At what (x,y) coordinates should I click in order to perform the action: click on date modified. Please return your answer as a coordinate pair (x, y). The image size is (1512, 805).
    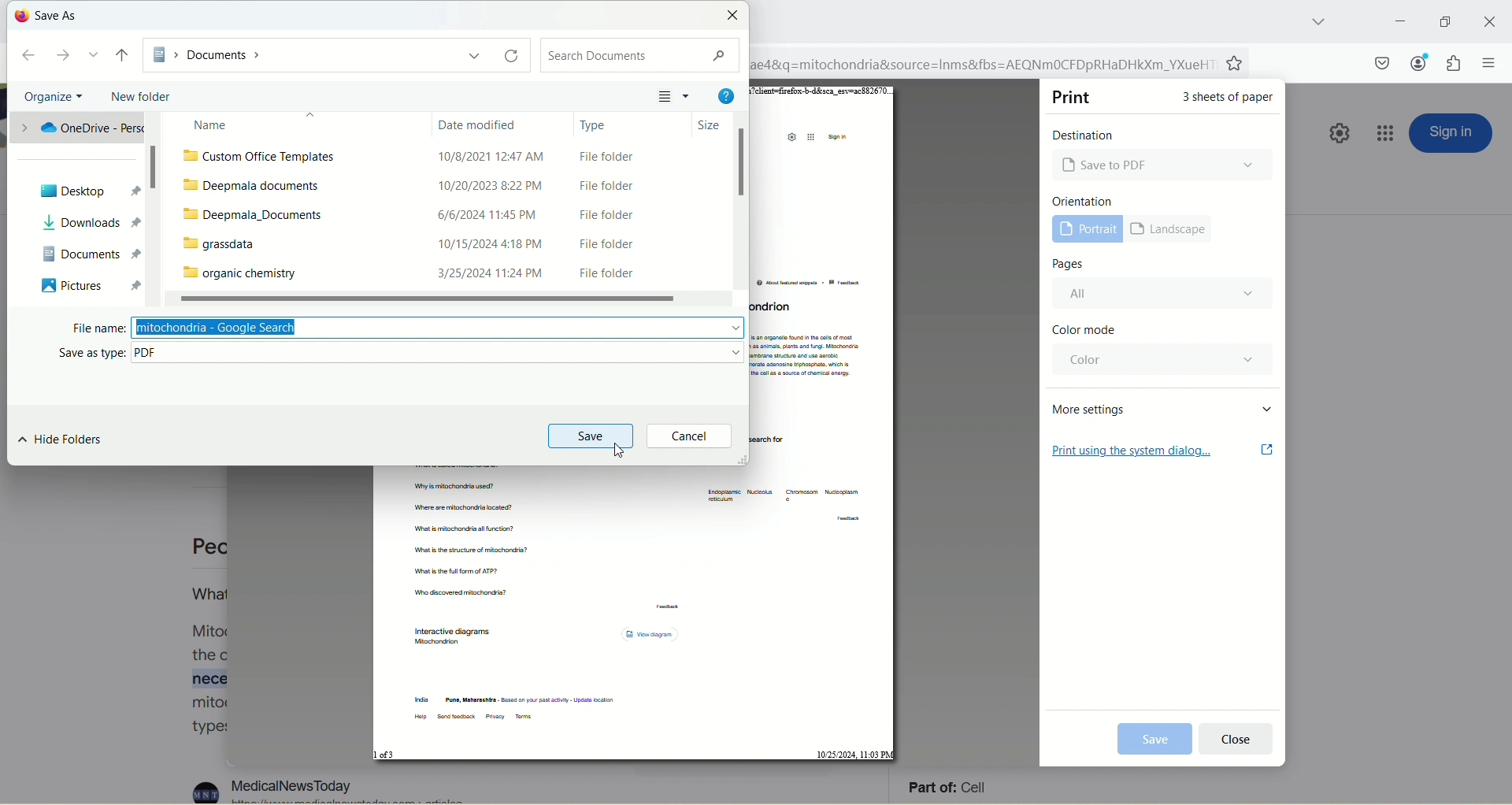
    Looking at the image, I should click on (500, 124).